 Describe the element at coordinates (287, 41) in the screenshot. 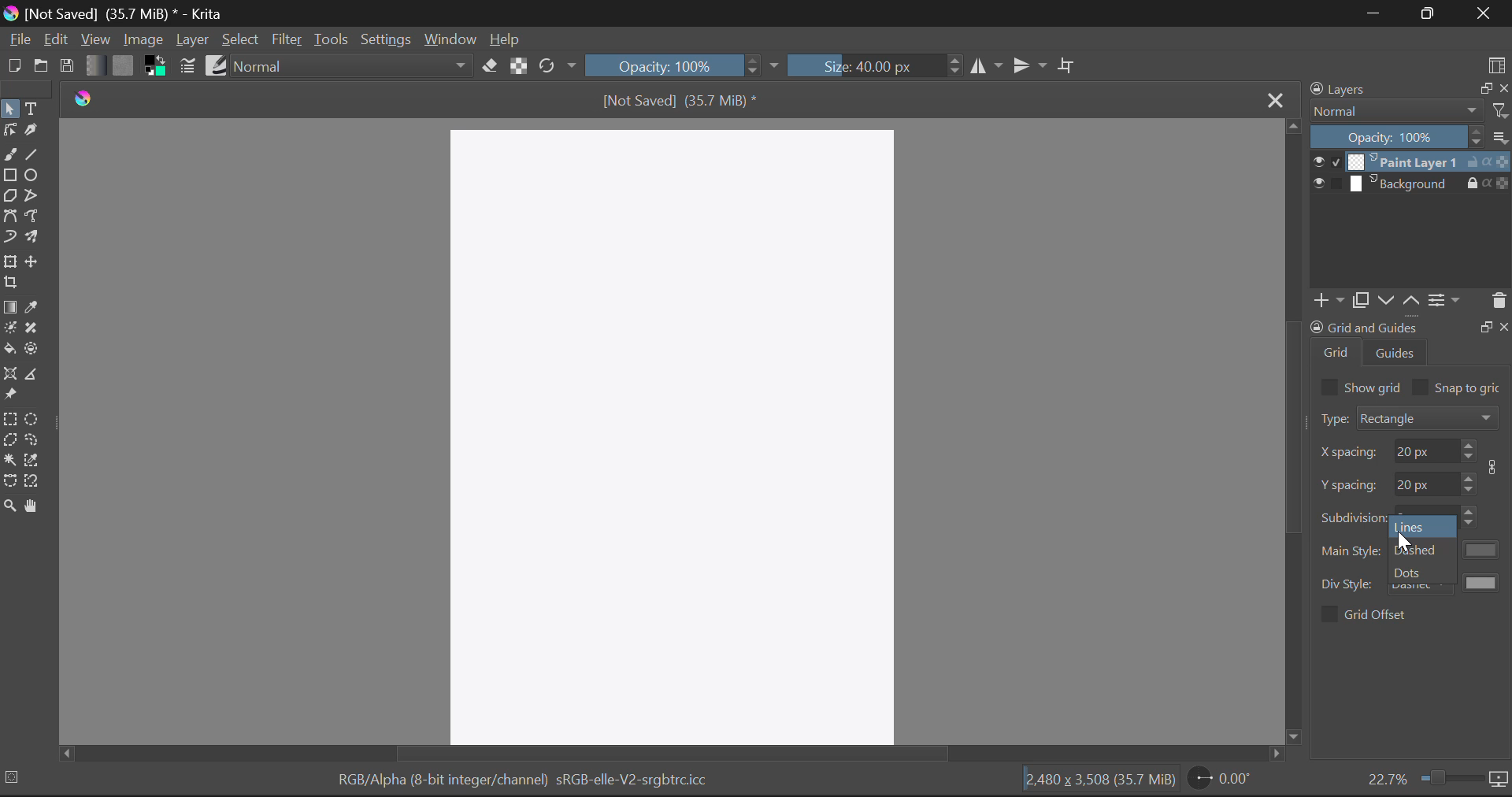

I see `Filter` at that location.